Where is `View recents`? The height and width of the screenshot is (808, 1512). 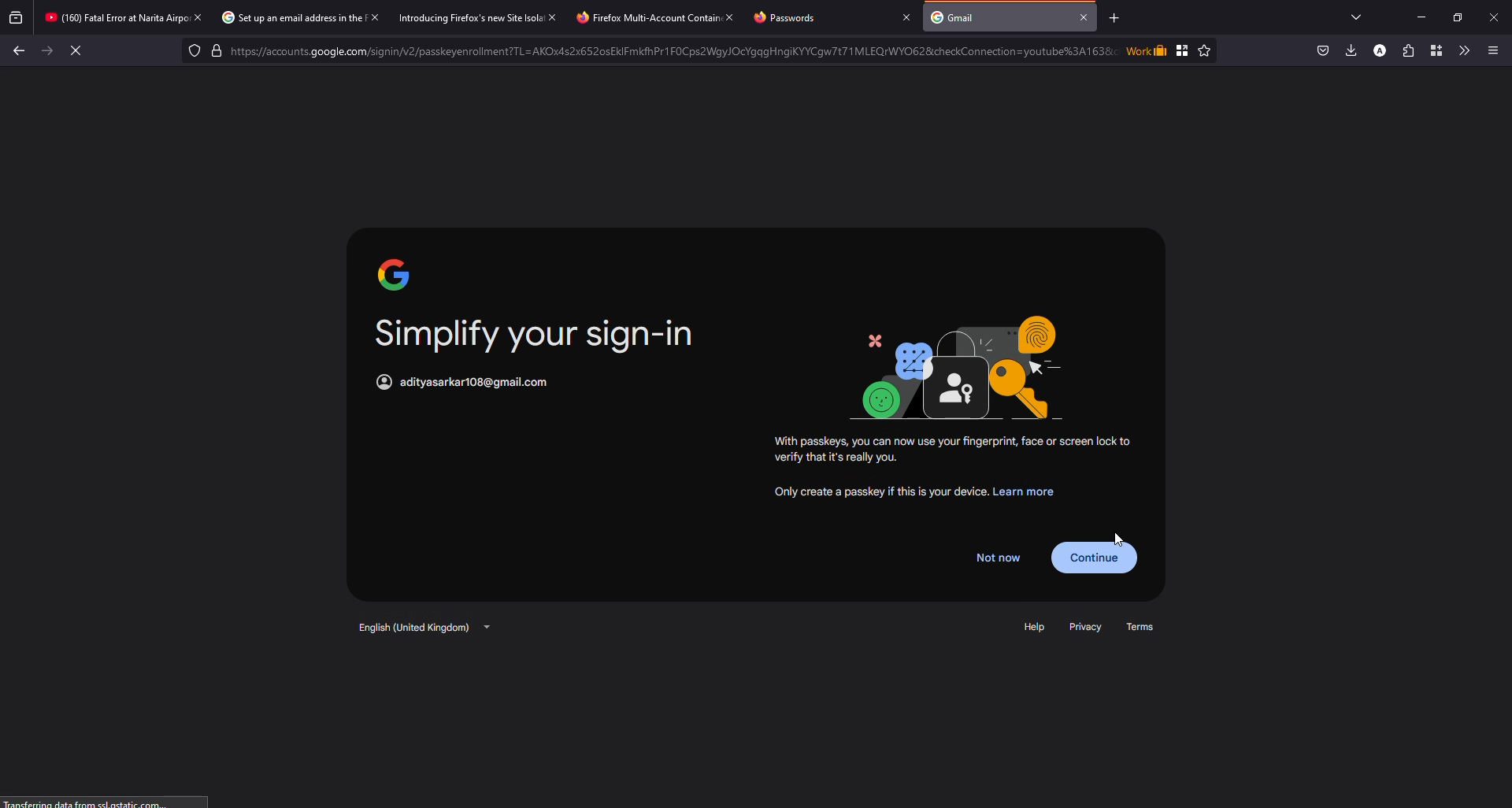 View recents is located at coordinates (15, 16).